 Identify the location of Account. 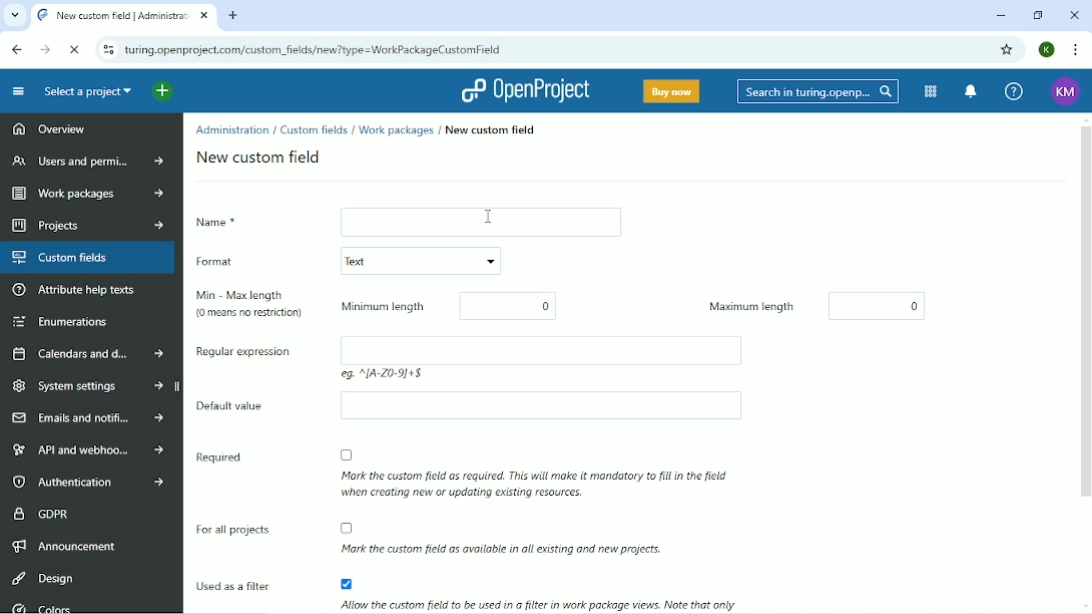
(1063, 90).